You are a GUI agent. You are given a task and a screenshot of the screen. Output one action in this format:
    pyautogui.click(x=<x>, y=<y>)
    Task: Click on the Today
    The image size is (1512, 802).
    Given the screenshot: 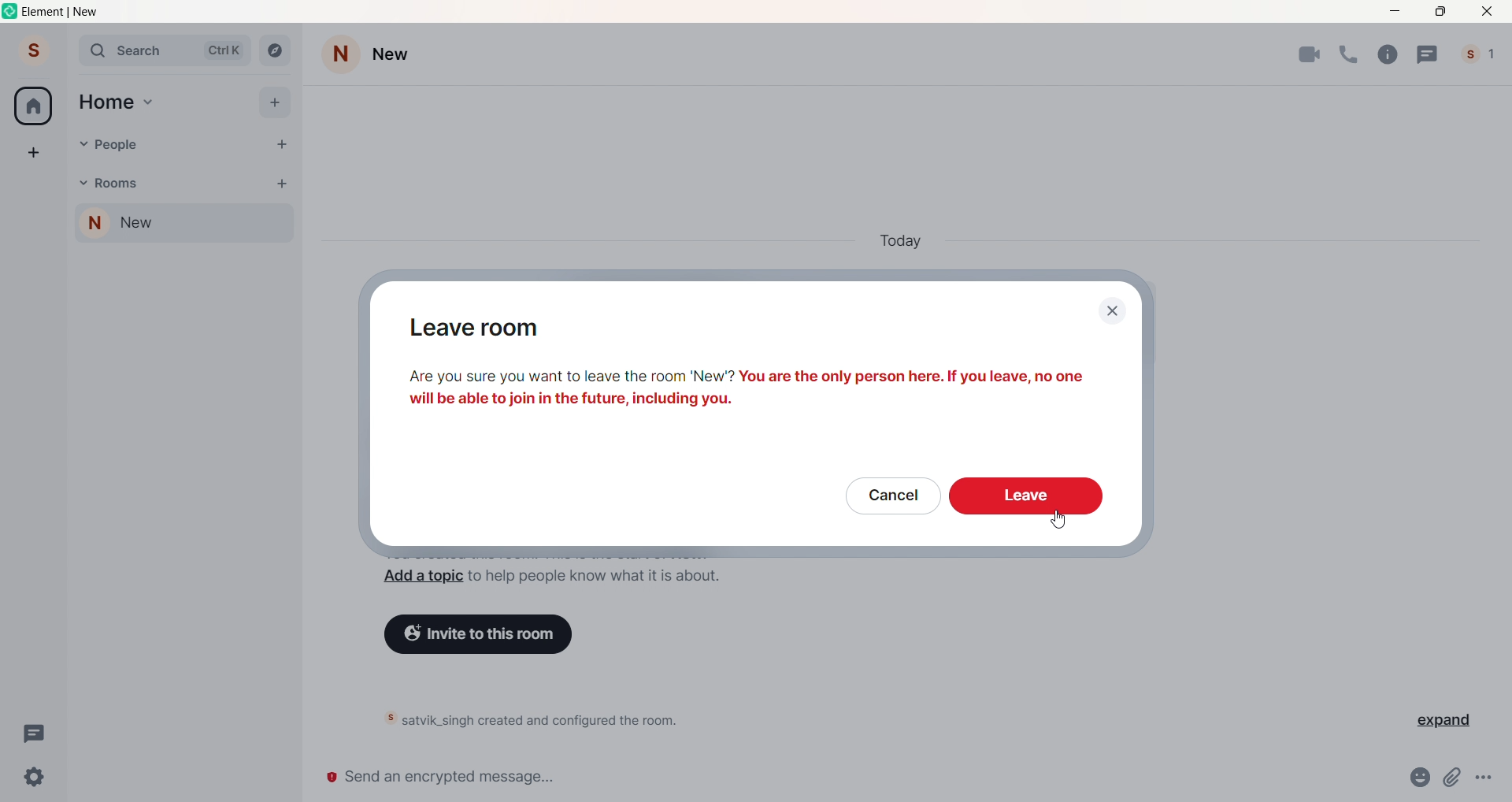 What is the action you would take?
    pyautogui.click(x=906, y=240)
    